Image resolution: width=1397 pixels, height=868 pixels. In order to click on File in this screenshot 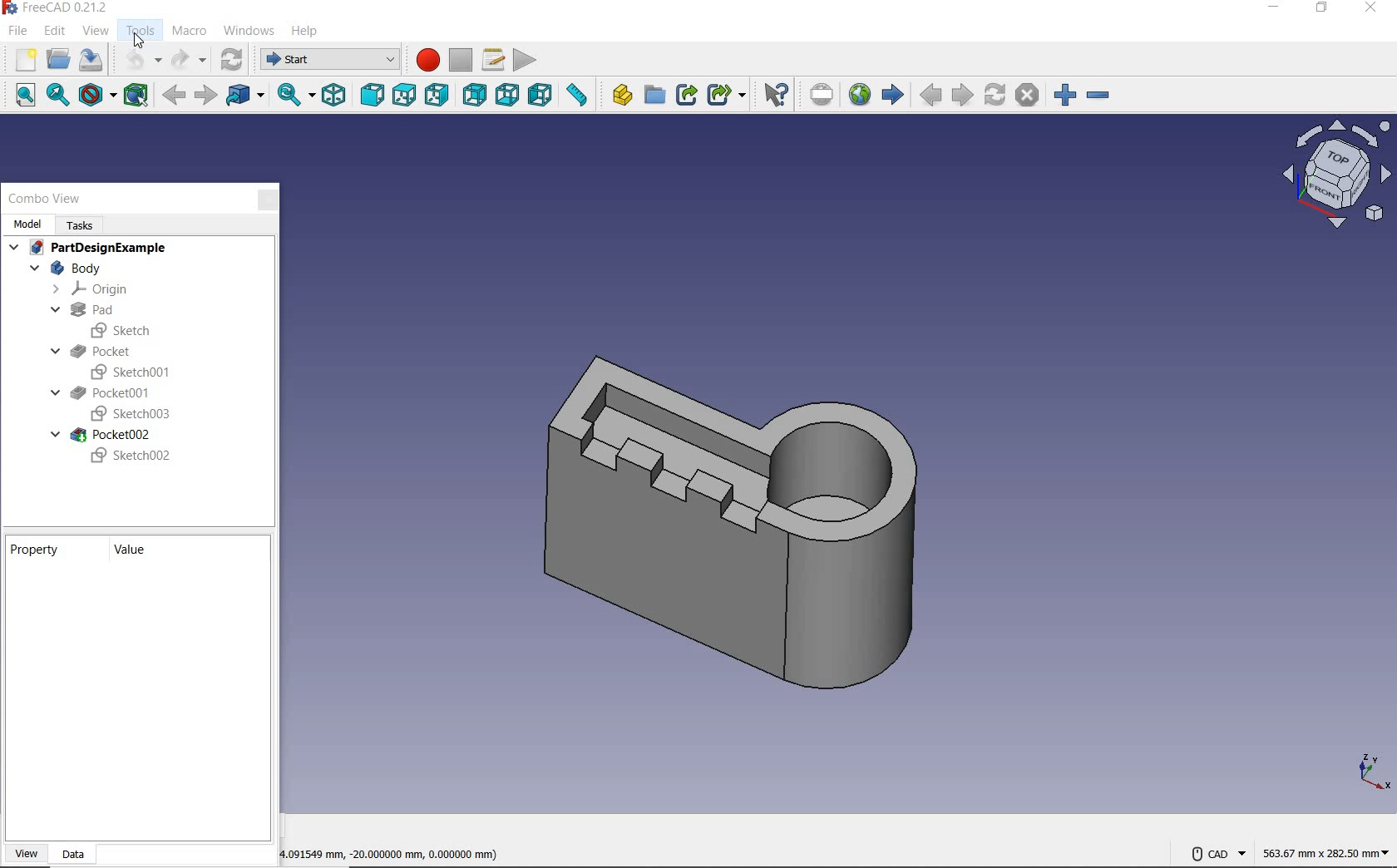, I will do `click(18, 31)`.